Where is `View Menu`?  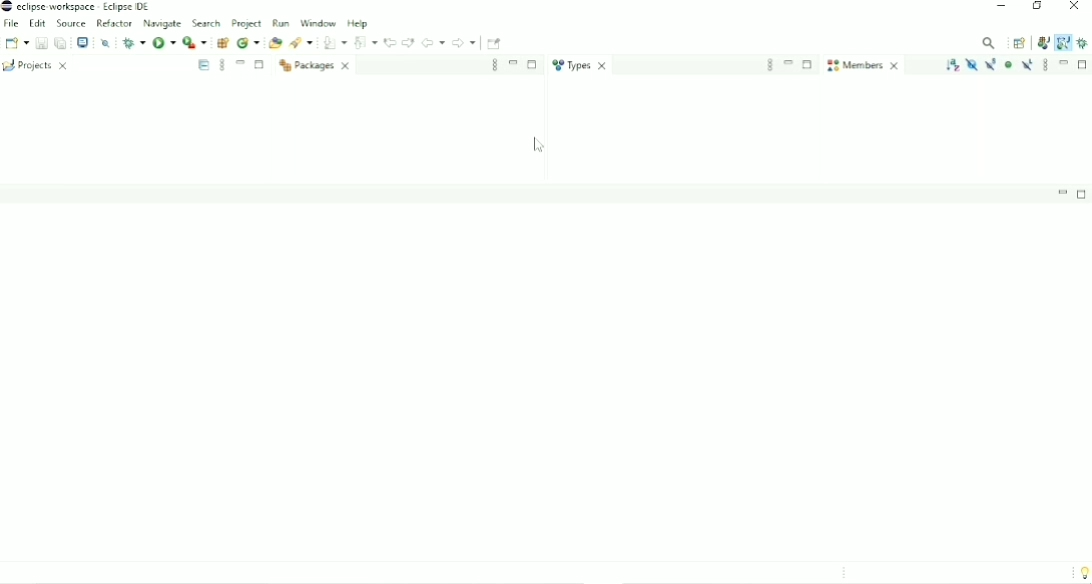
View Menu is located at coordinates (220, 66).